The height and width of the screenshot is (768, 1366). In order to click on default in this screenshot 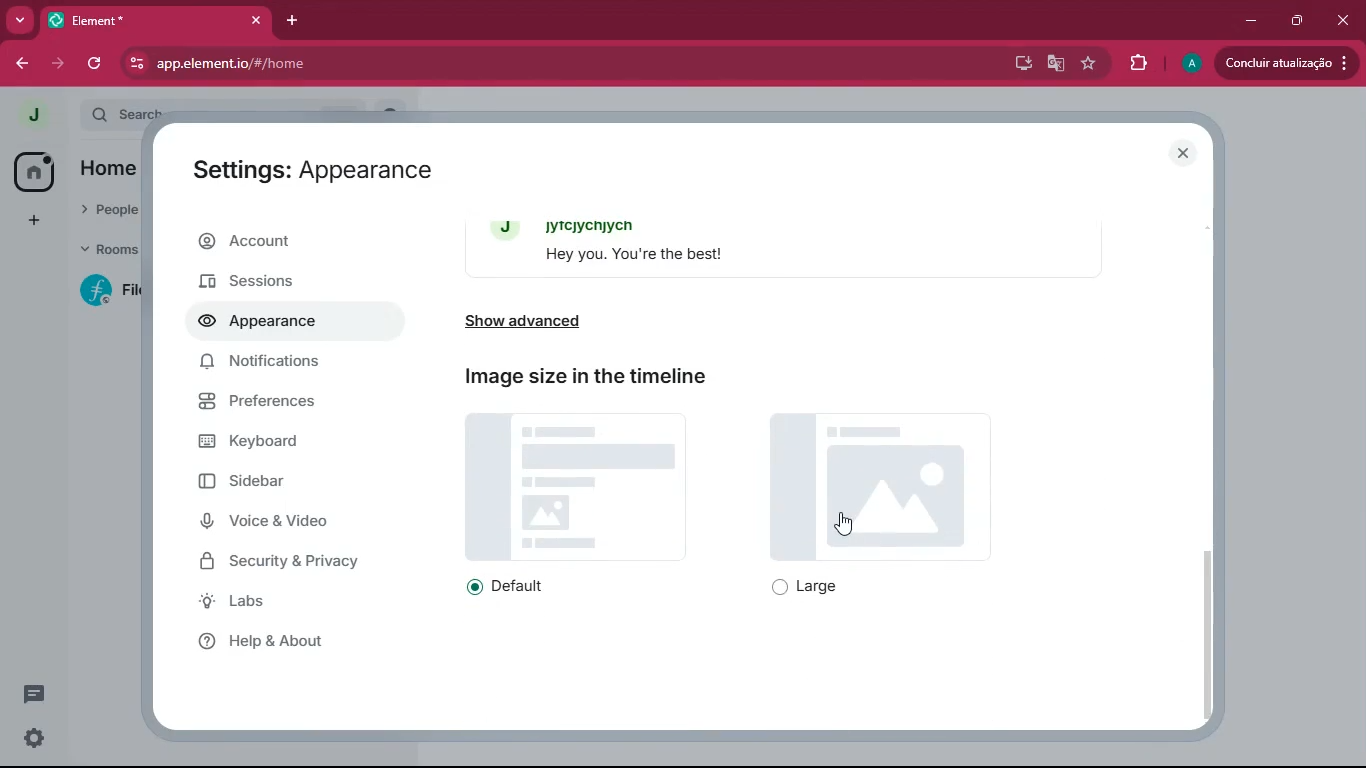, I will do `click(517, 587)`.